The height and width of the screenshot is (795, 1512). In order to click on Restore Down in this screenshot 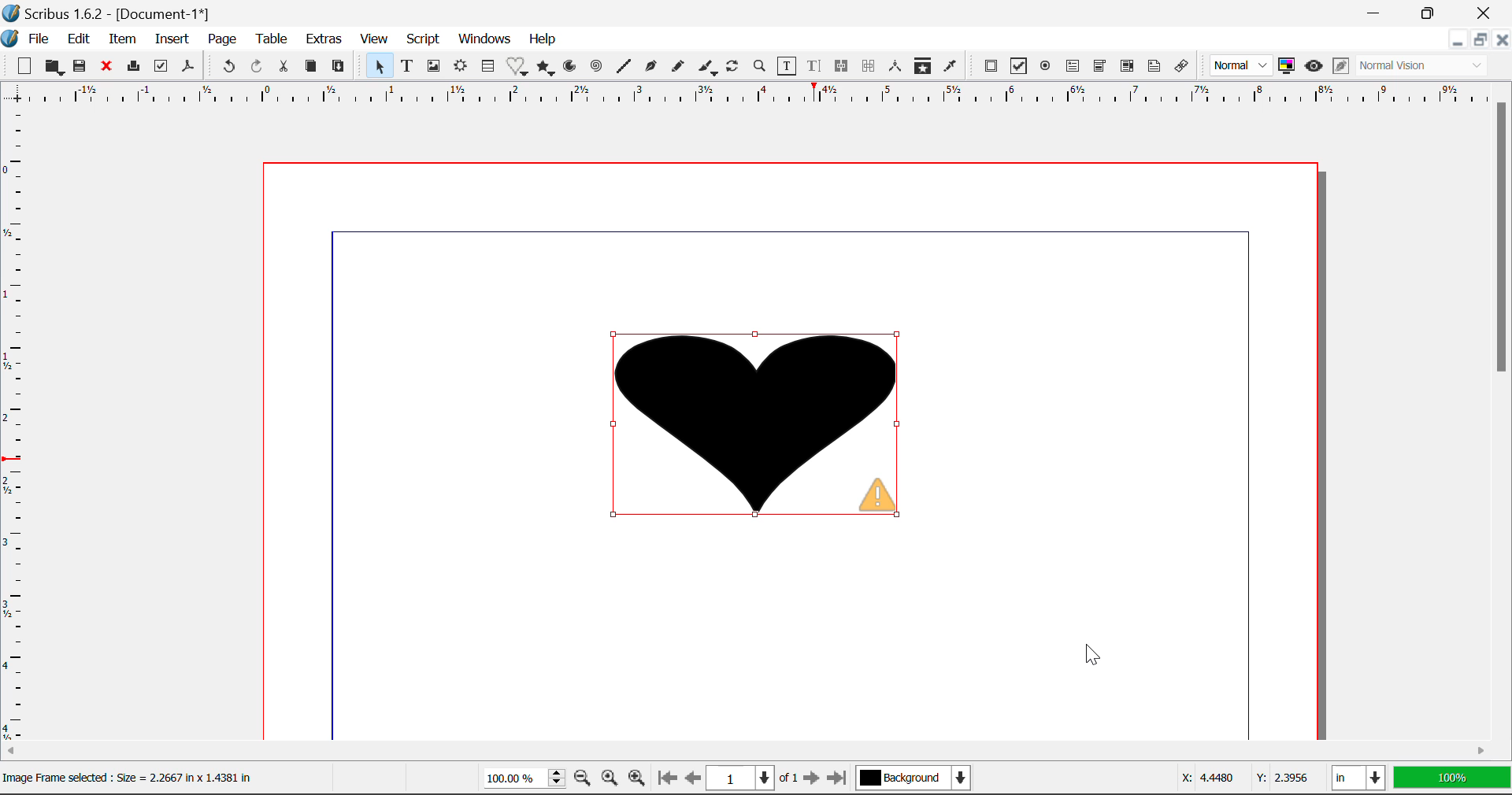, I will do `click(1378, 12)`.